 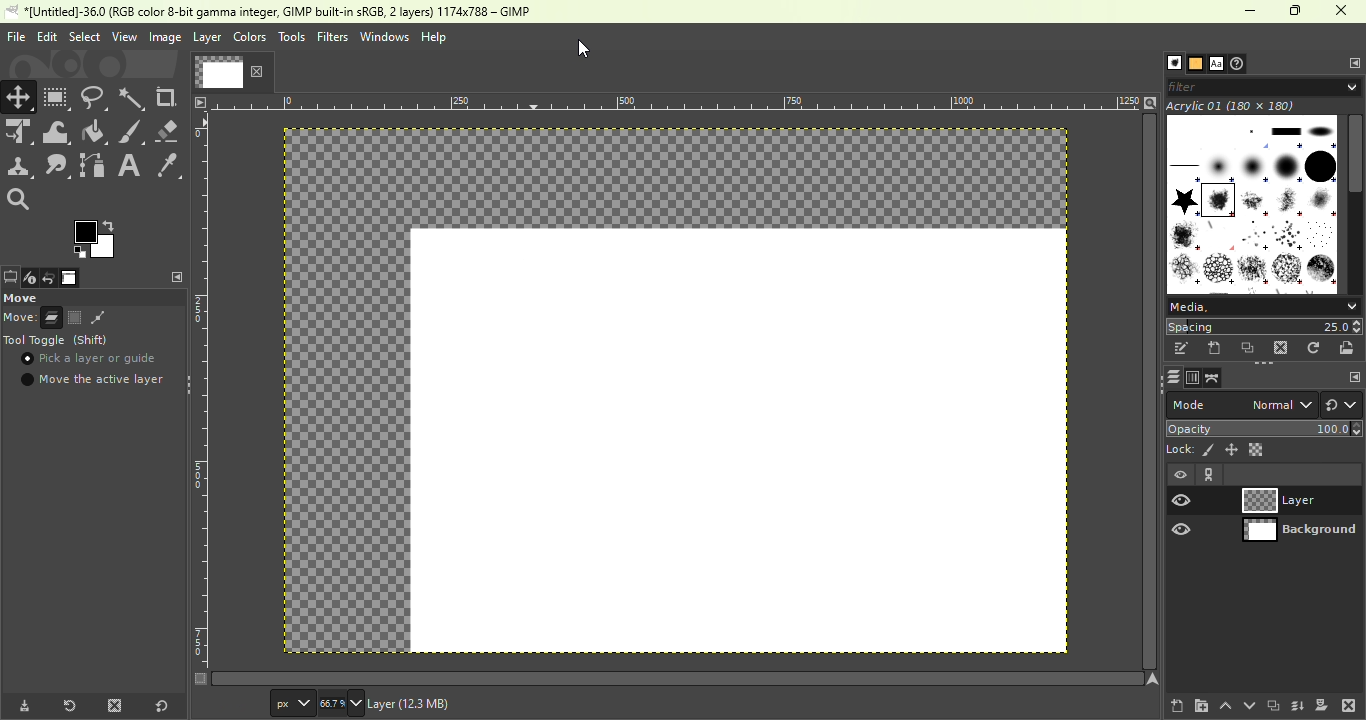 I want to click on Add to the current selection, so click(x=74, y=317).